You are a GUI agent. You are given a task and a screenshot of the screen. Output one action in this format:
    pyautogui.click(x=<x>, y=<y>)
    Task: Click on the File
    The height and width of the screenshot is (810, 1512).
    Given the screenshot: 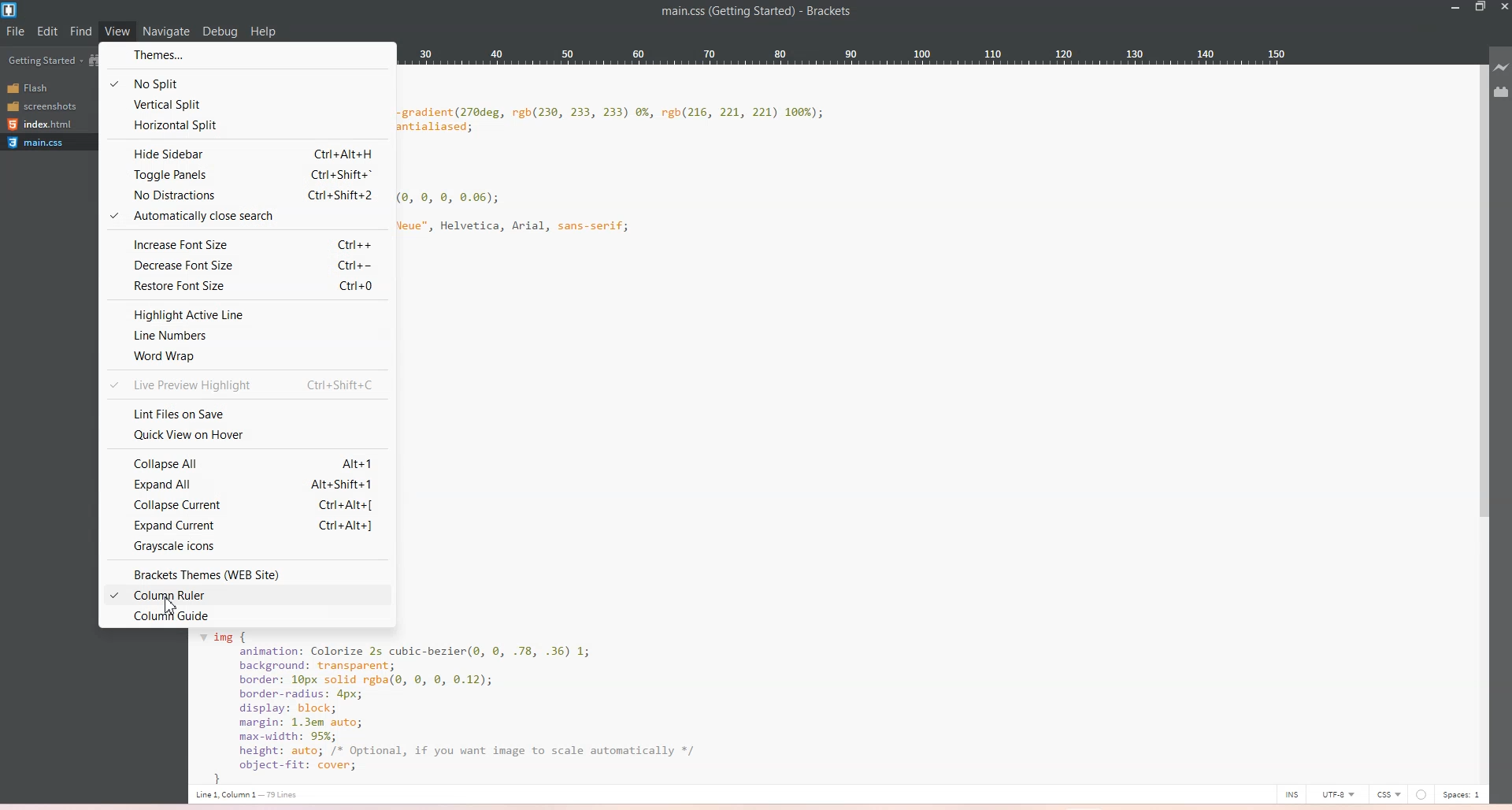 What is the action you would take?
    pyautogui.click(x=15, y=32)
    